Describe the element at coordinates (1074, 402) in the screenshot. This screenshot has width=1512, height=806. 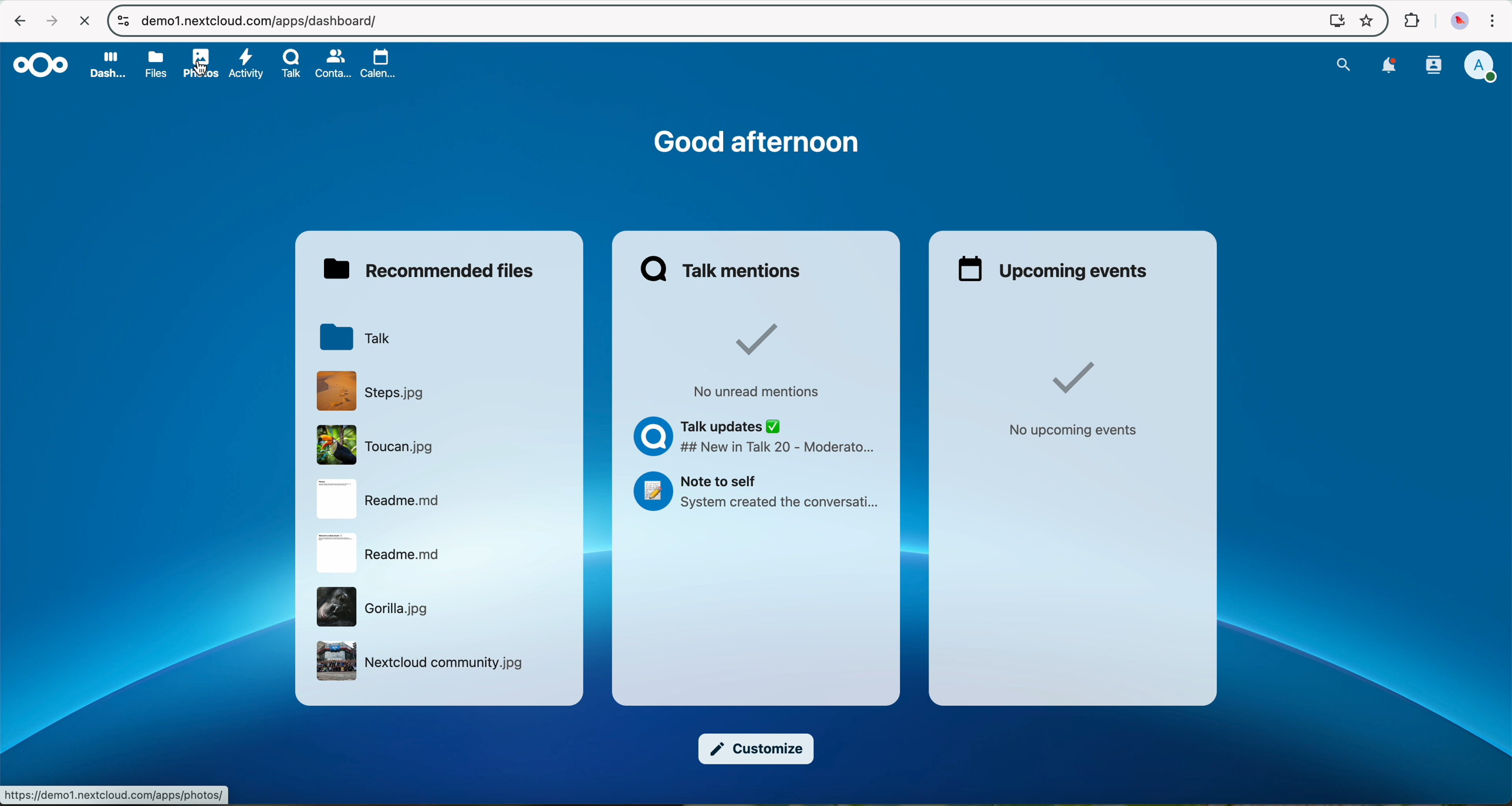
I see `no upcoming events` at that location.